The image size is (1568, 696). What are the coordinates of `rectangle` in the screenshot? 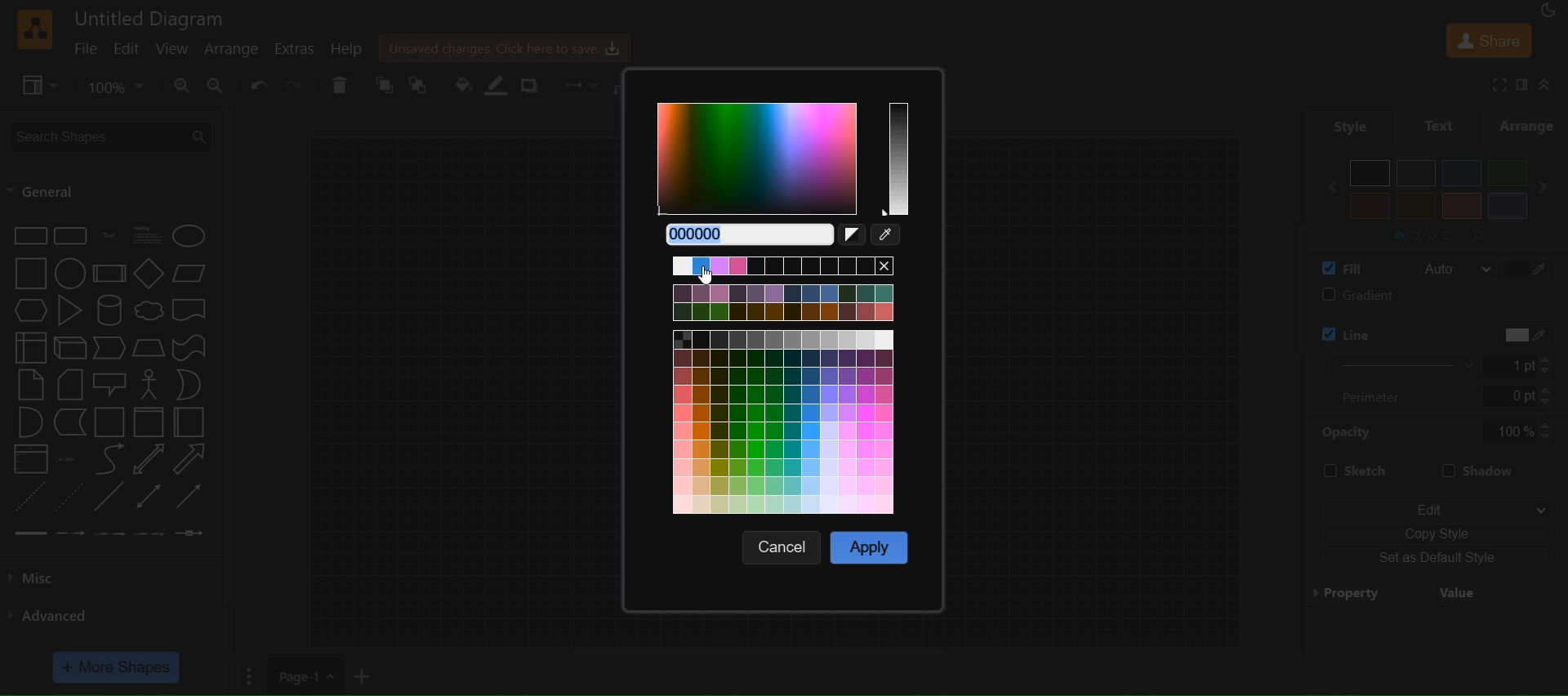 It's located at (29, 234).